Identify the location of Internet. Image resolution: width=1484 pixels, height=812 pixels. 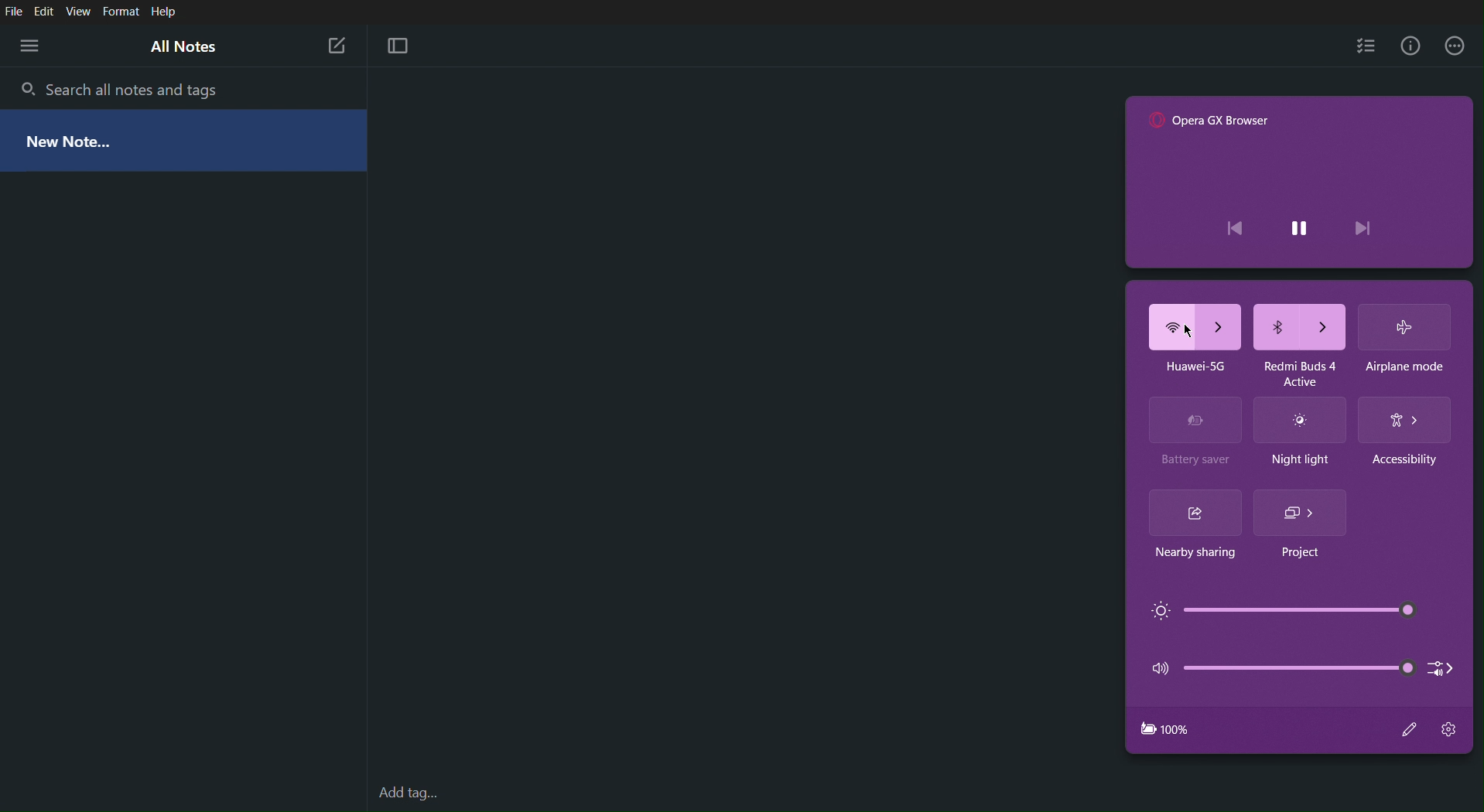
(1192, 326).